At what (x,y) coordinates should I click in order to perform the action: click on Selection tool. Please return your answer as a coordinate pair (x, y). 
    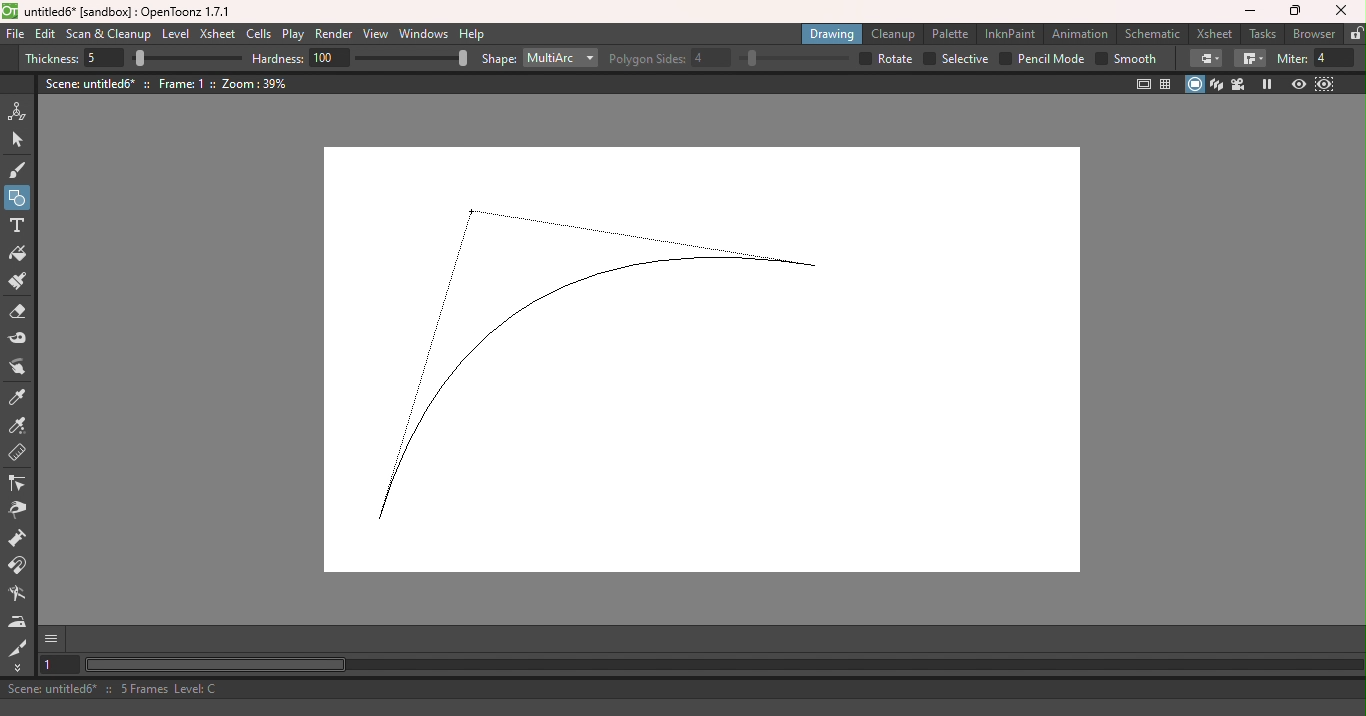
    Looking at the image, I should click on (23, 141).